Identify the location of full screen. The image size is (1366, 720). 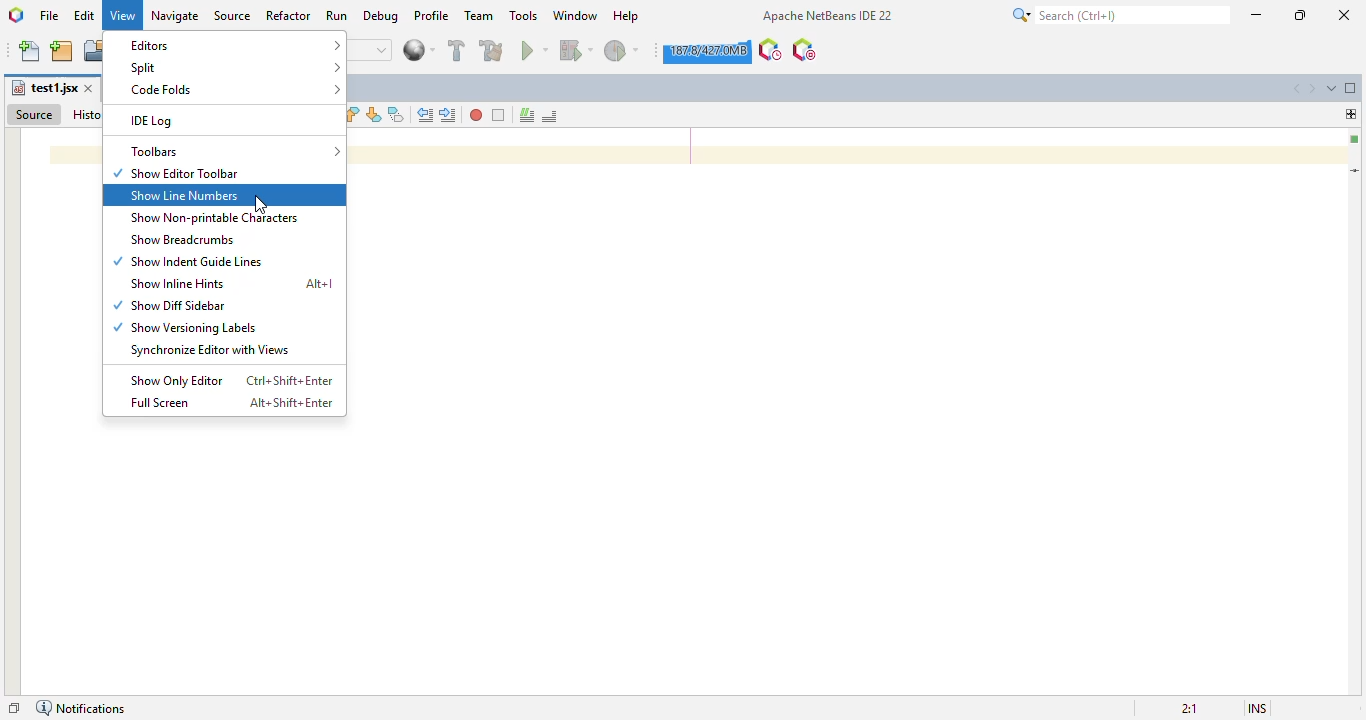
(159, 403).